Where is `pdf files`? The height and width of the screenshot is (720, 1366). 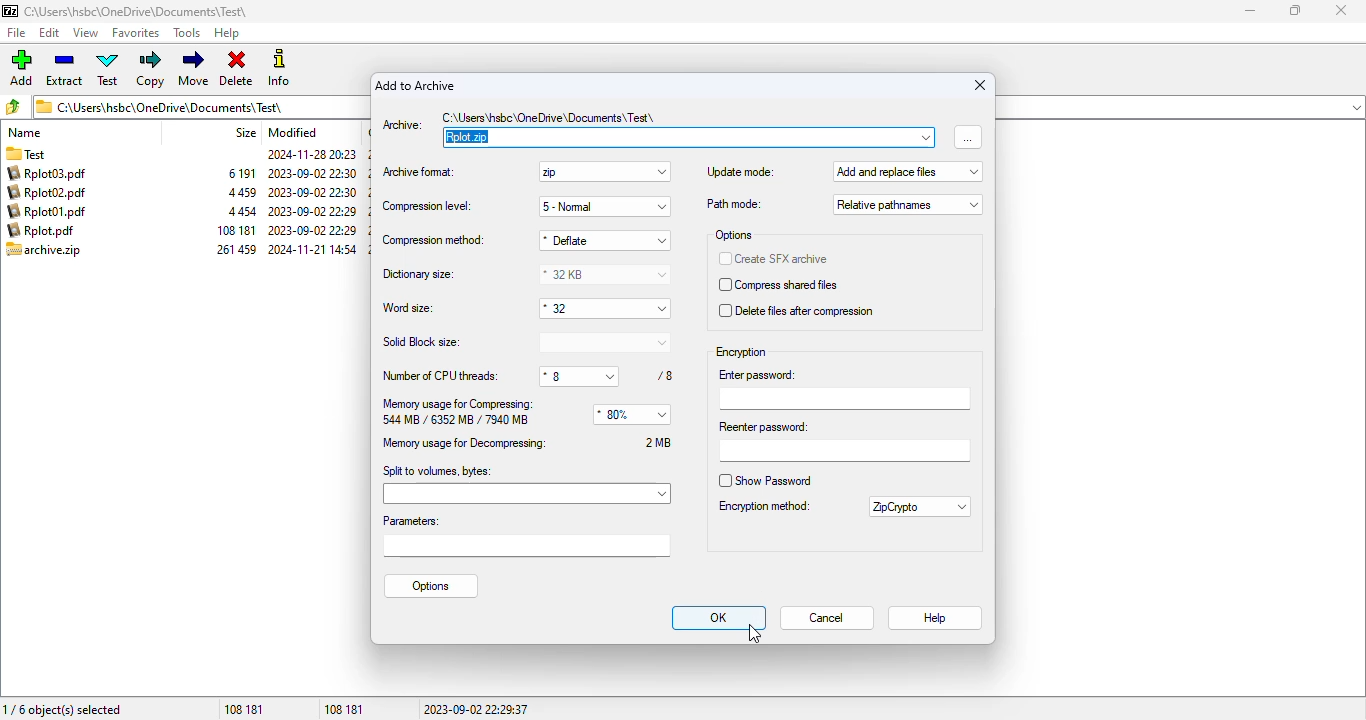 pdf files is located at coordinates (50, 202).